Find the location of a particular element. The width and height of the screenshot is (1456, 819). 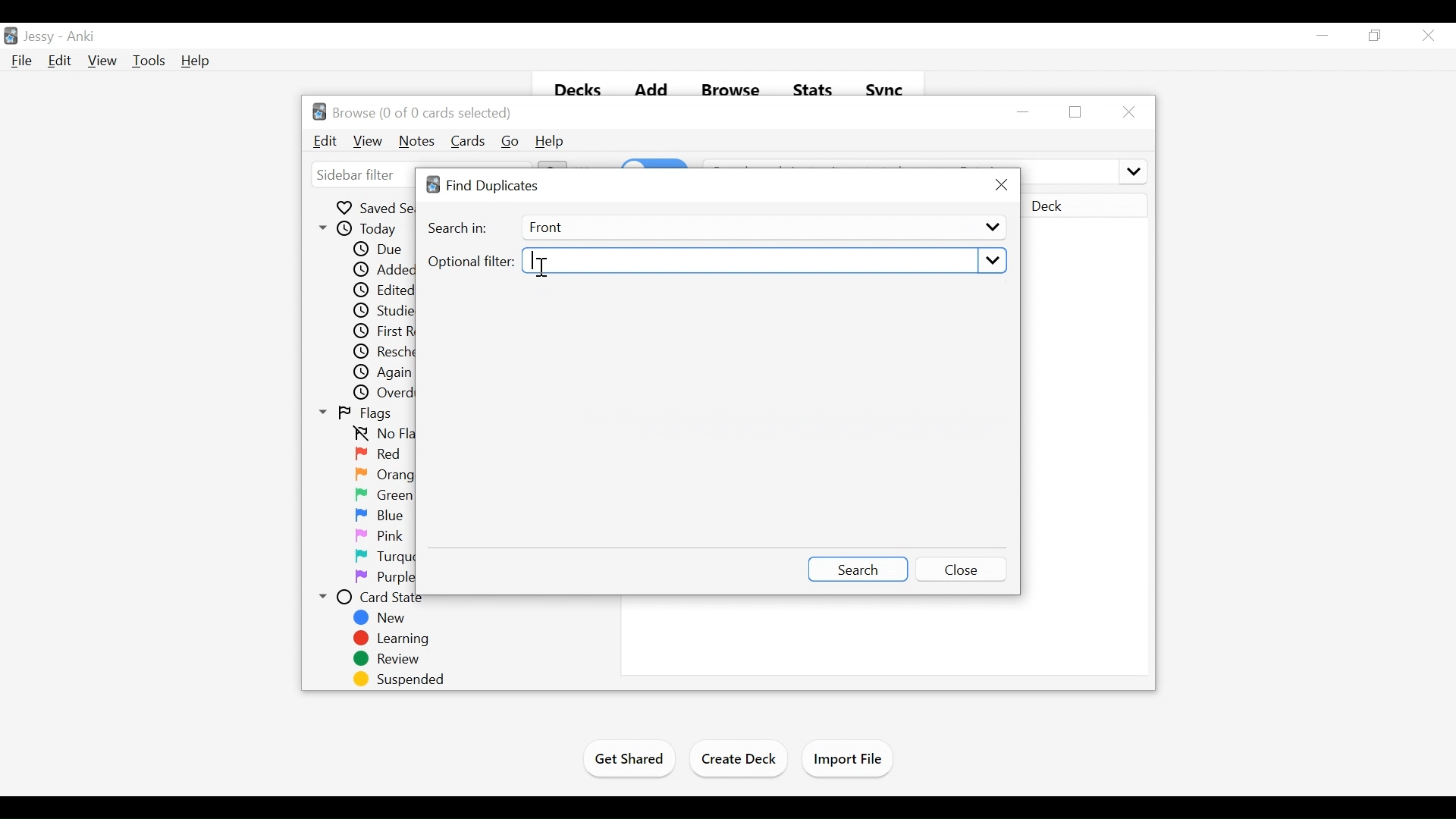

Green is located at coordinates (384, 495).